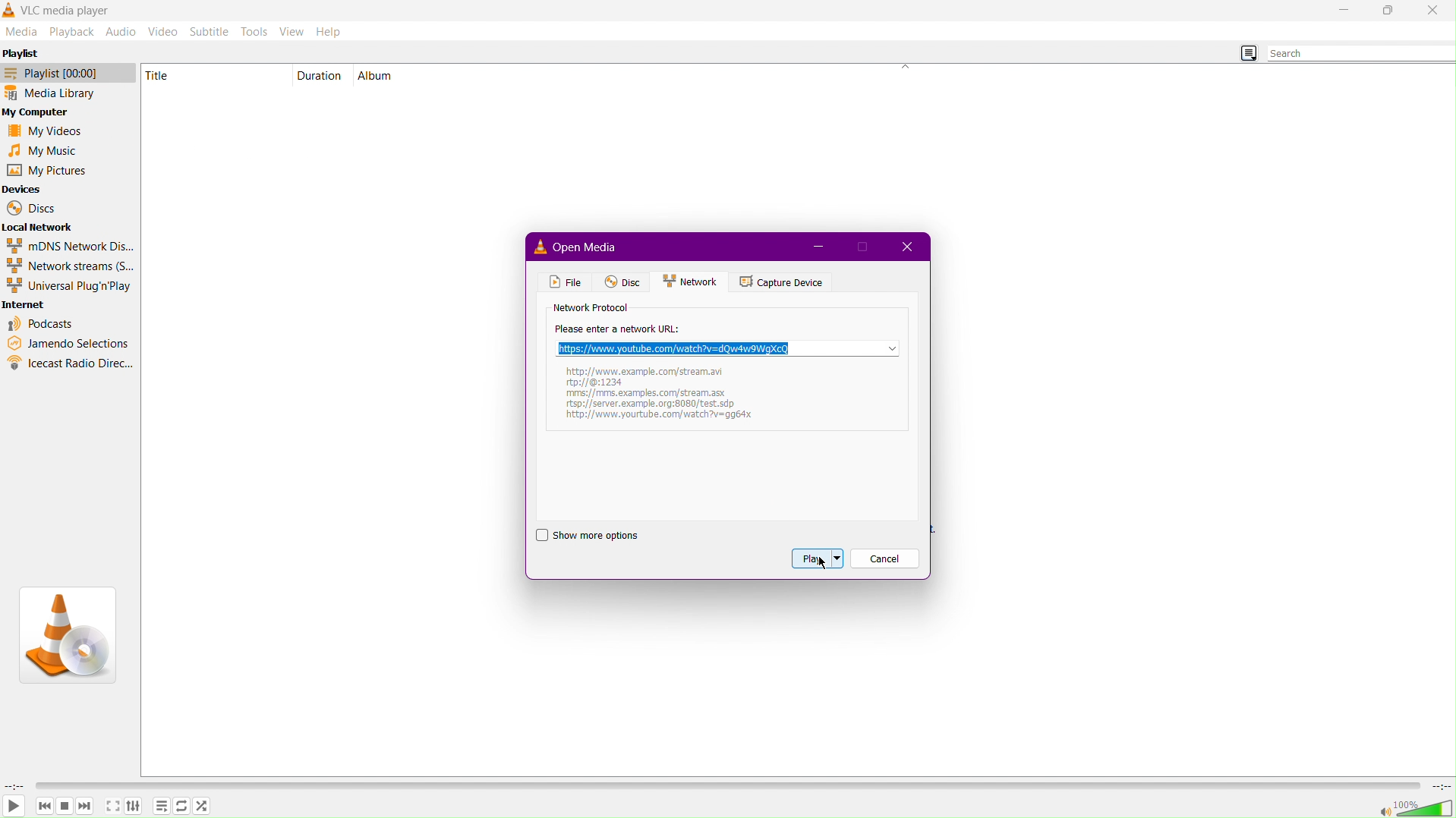  What do you see at coordinates (865, 245) in the screenshot?
I see `Maximize` at bounding box center [865, 245].